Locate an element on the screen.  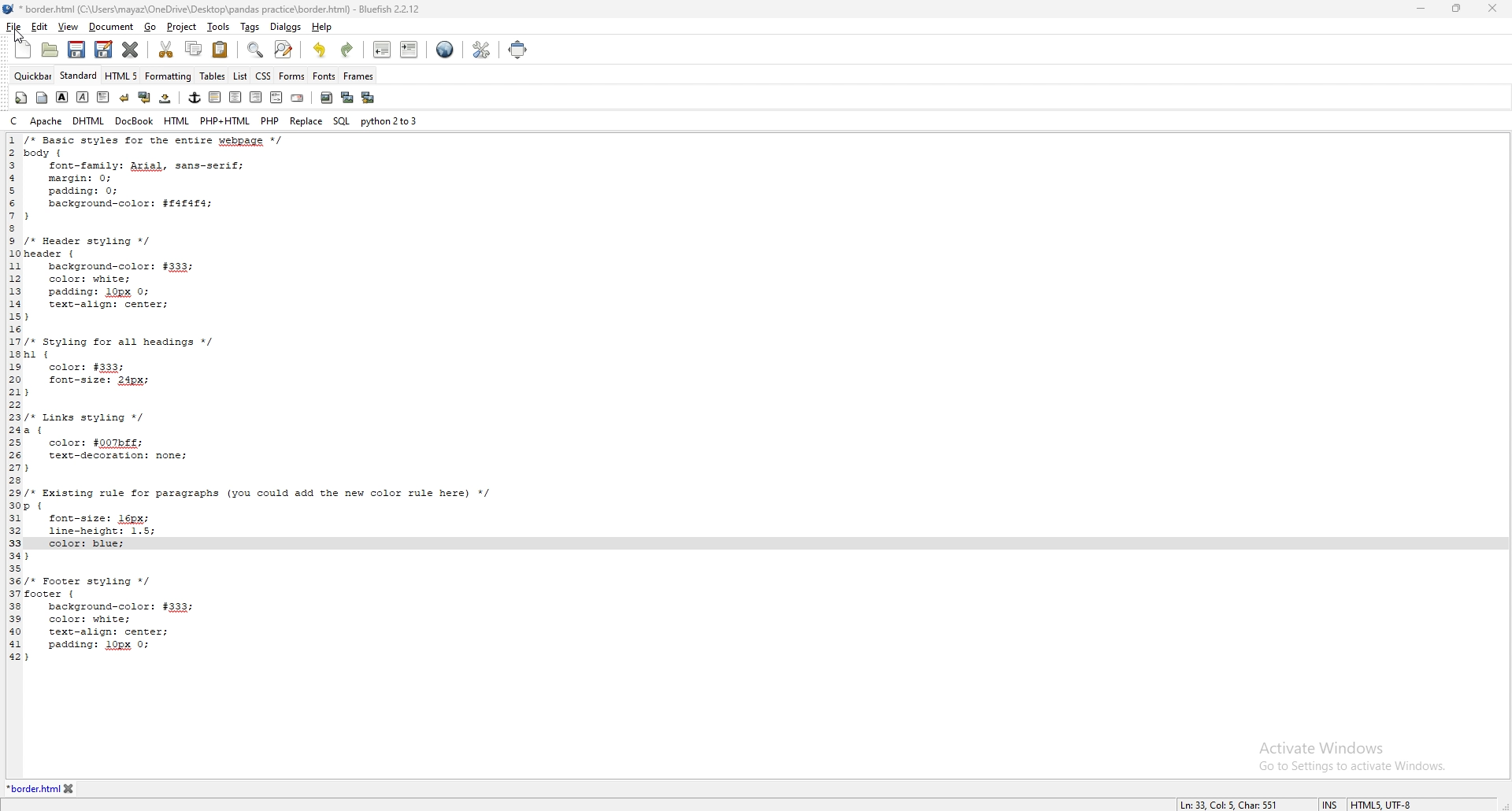
fonts is located at coordinates (324, 76).